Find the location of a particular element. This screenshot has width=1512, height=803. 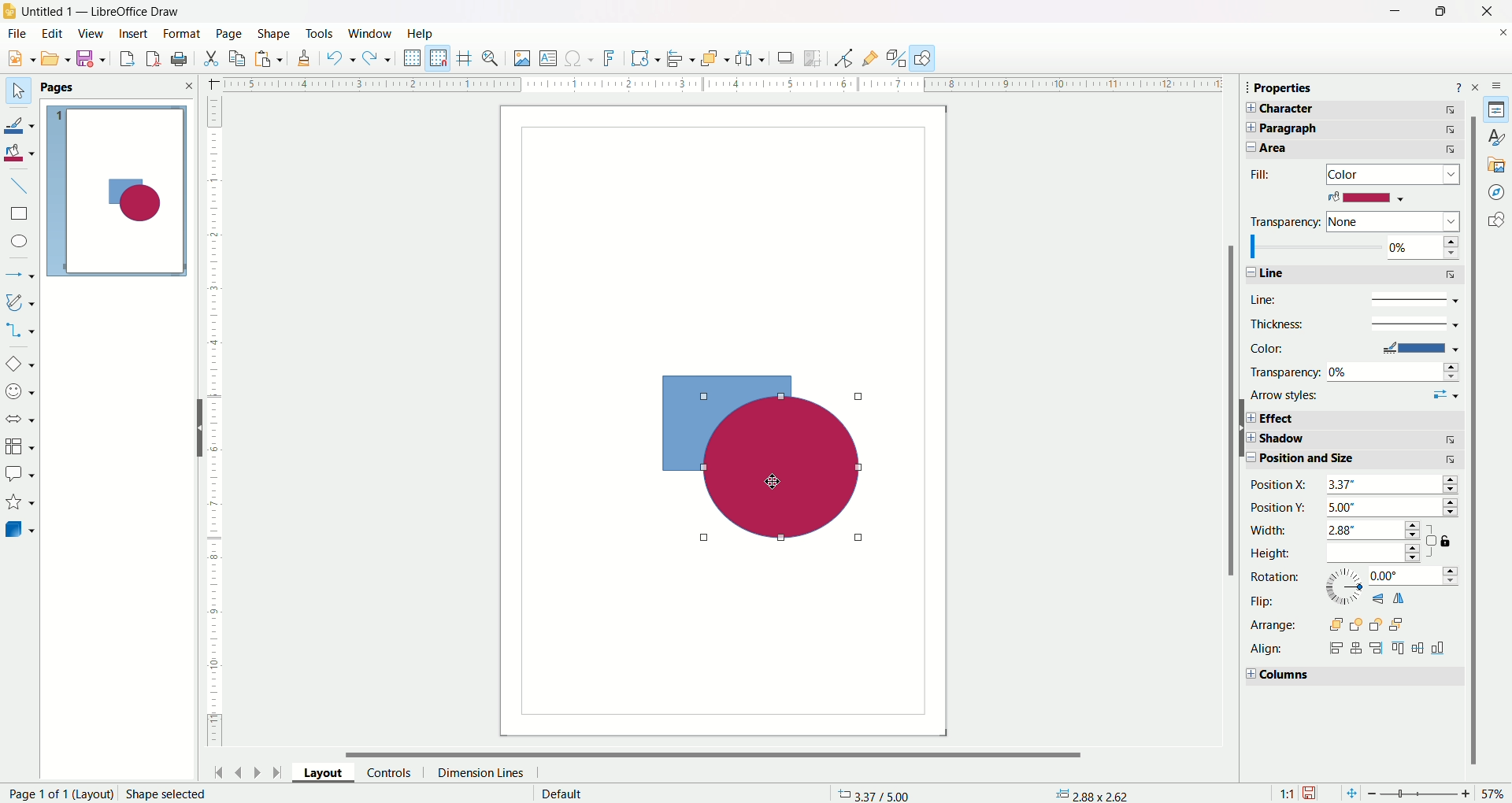

effect is located at coordinates (1354, 418).